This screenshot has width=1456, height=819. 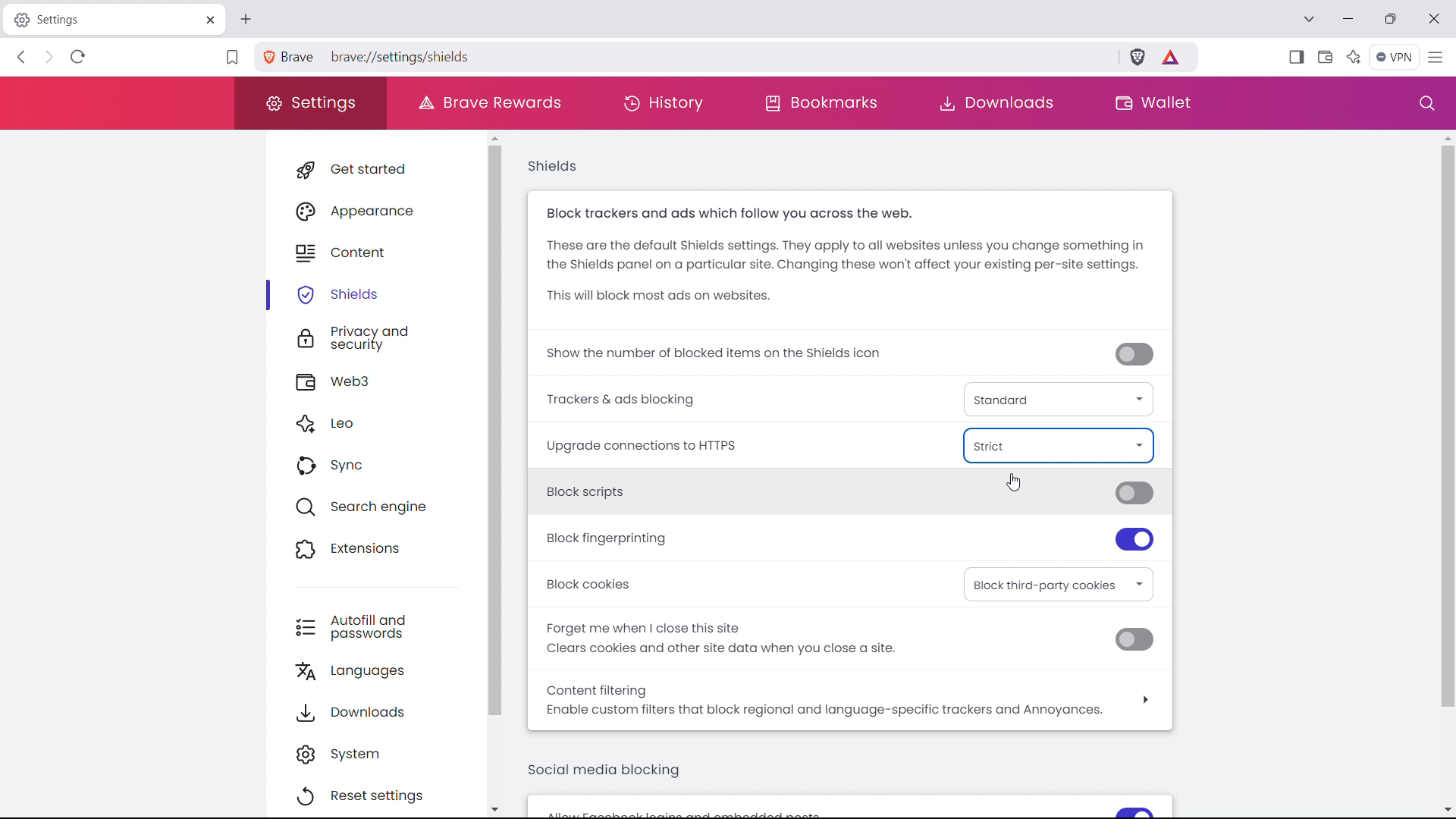 What do you see at coordinates (209, 20) in the screenshot?
I see `close tab` at bounding box center [209, 20].